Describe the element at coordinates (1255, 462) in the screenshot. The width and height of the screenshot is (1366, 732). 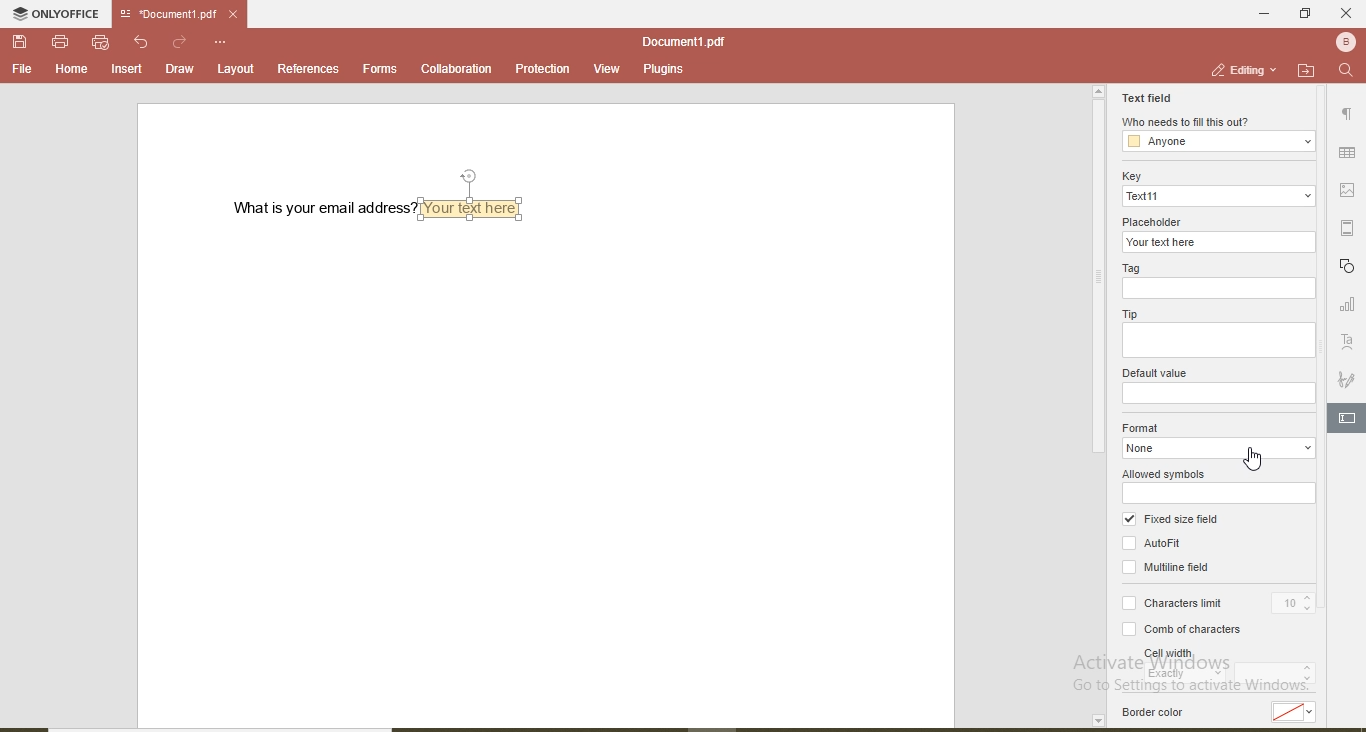
I see `cursor` at that location.